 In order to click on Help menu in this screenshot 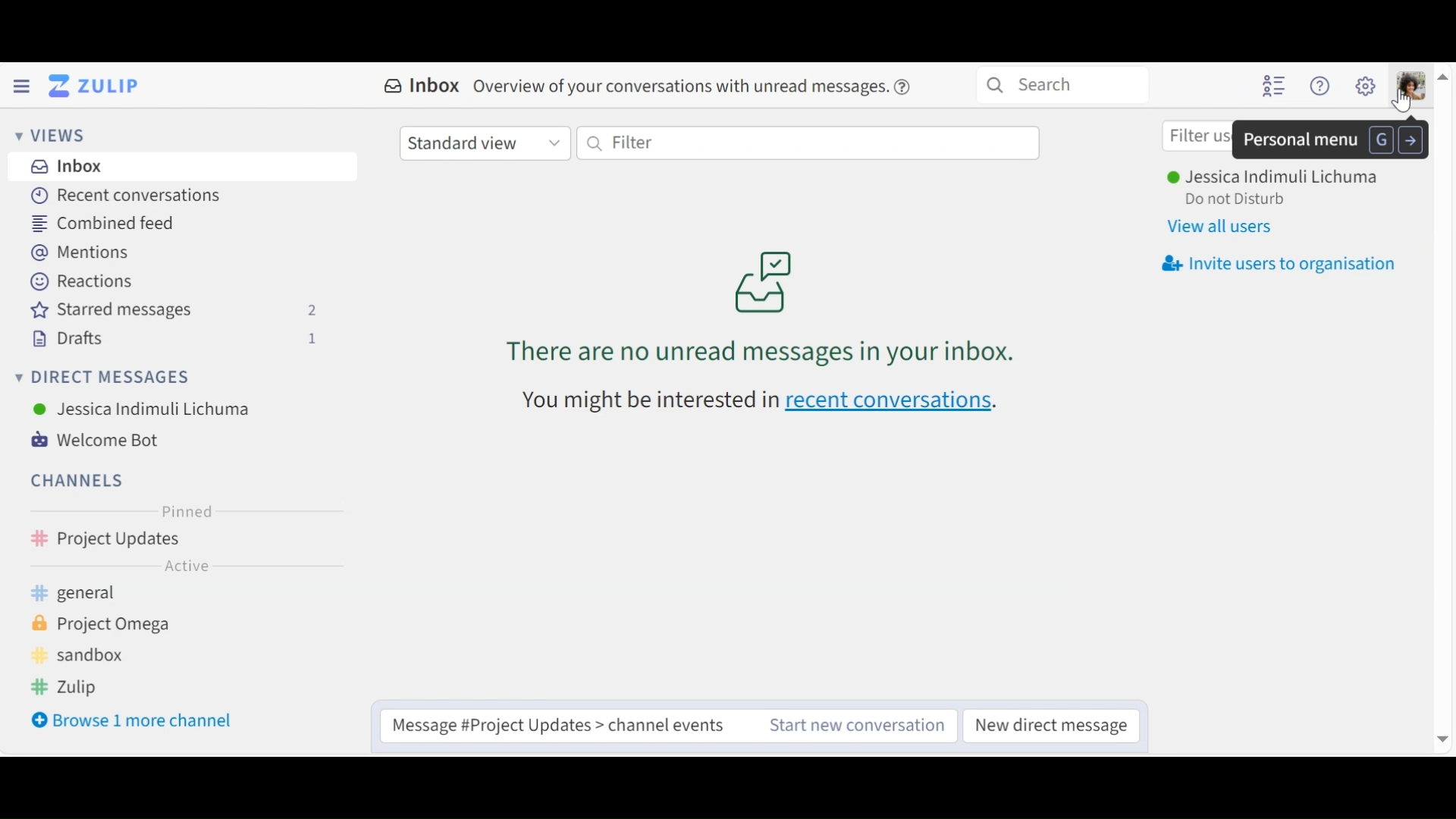, I will do `click(1322, 88)`.